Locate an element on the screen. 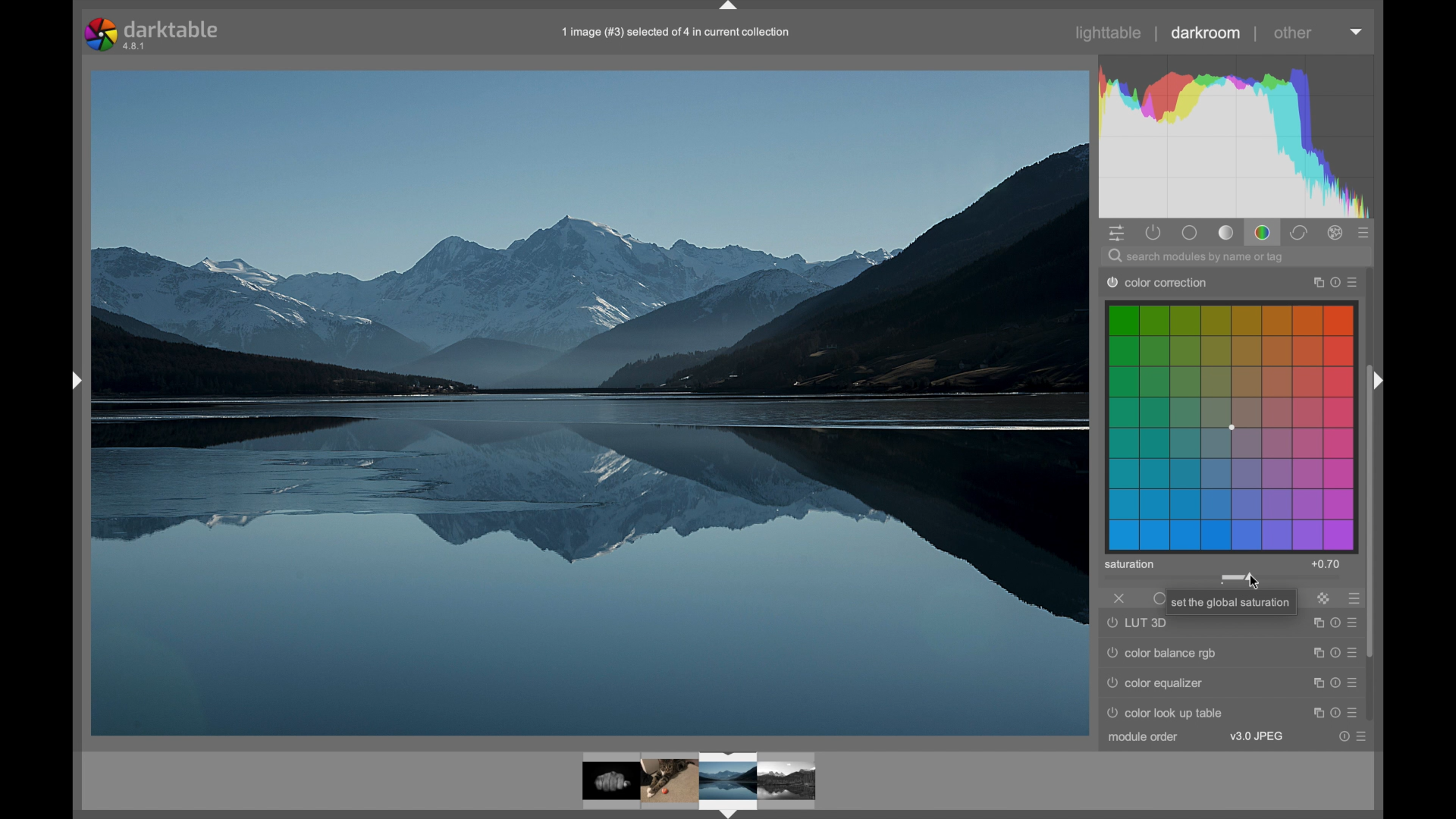 Image resolution: width=1456 pixels, height=819 pixels. v3.0 jpeg is located at coordinates (1257, 736).